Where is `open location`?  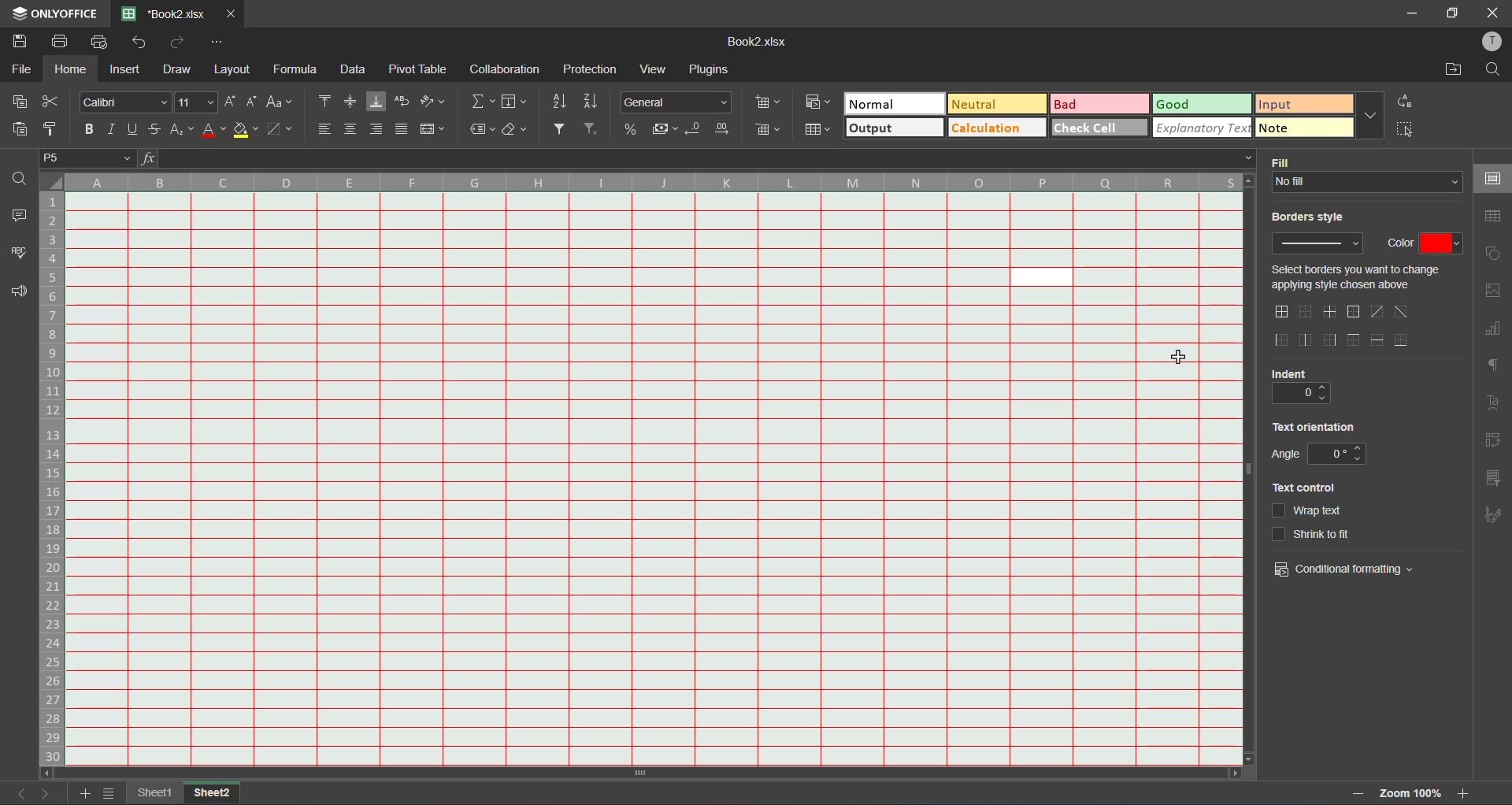
open location is located at coordinates (1451, 70).